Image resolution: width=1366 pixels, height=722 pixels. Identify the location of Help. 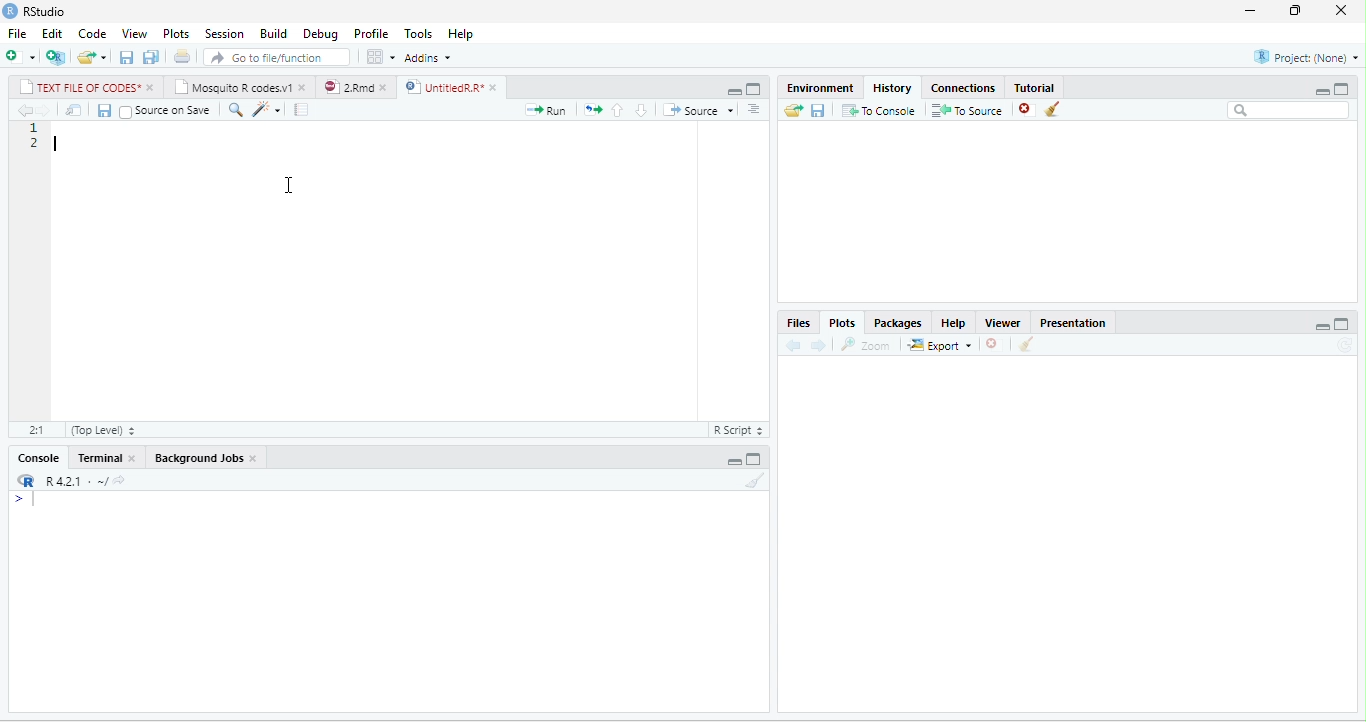
(953, 323).